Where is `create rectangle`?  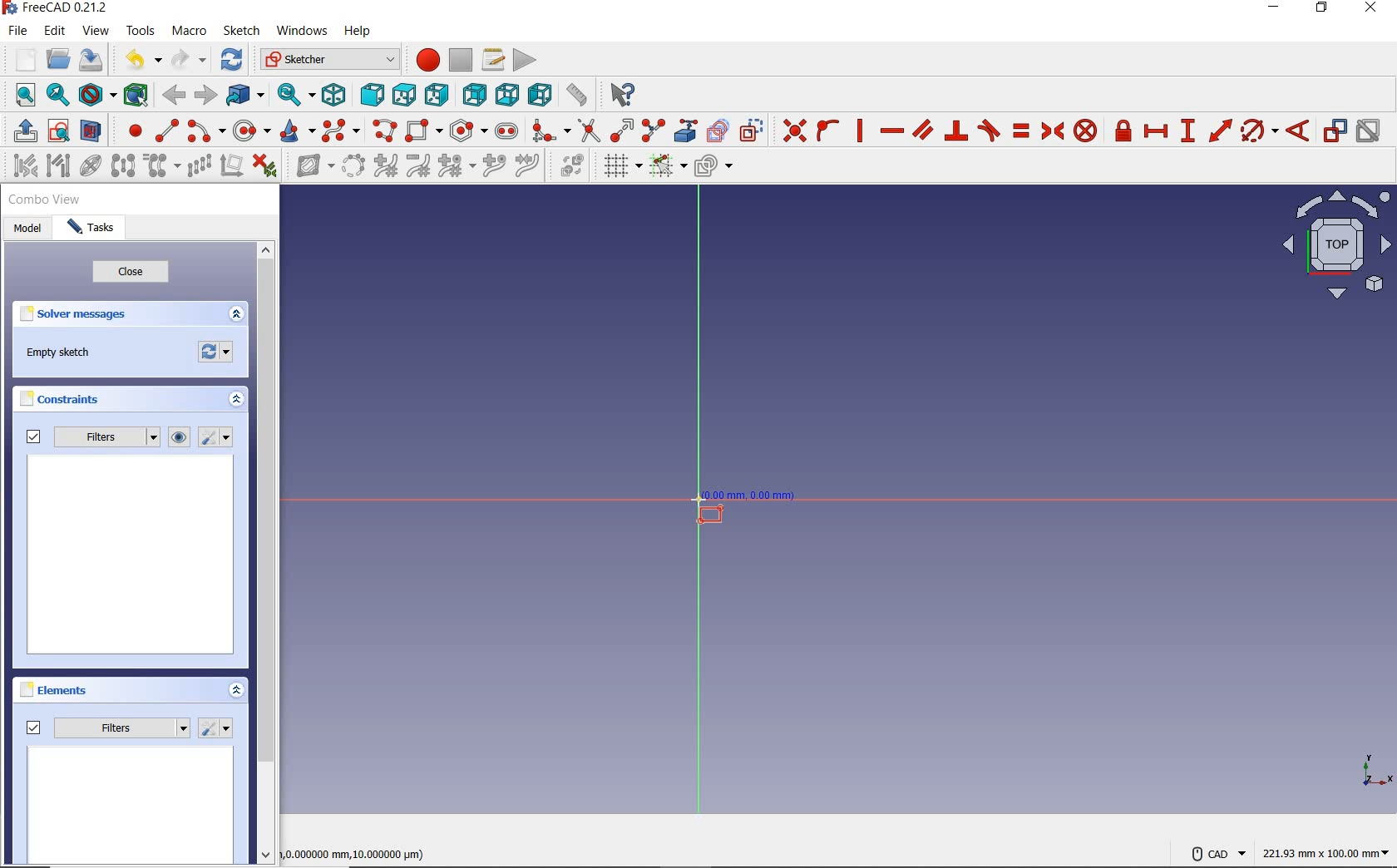 create rectangle is located at coordinates (424, 131).